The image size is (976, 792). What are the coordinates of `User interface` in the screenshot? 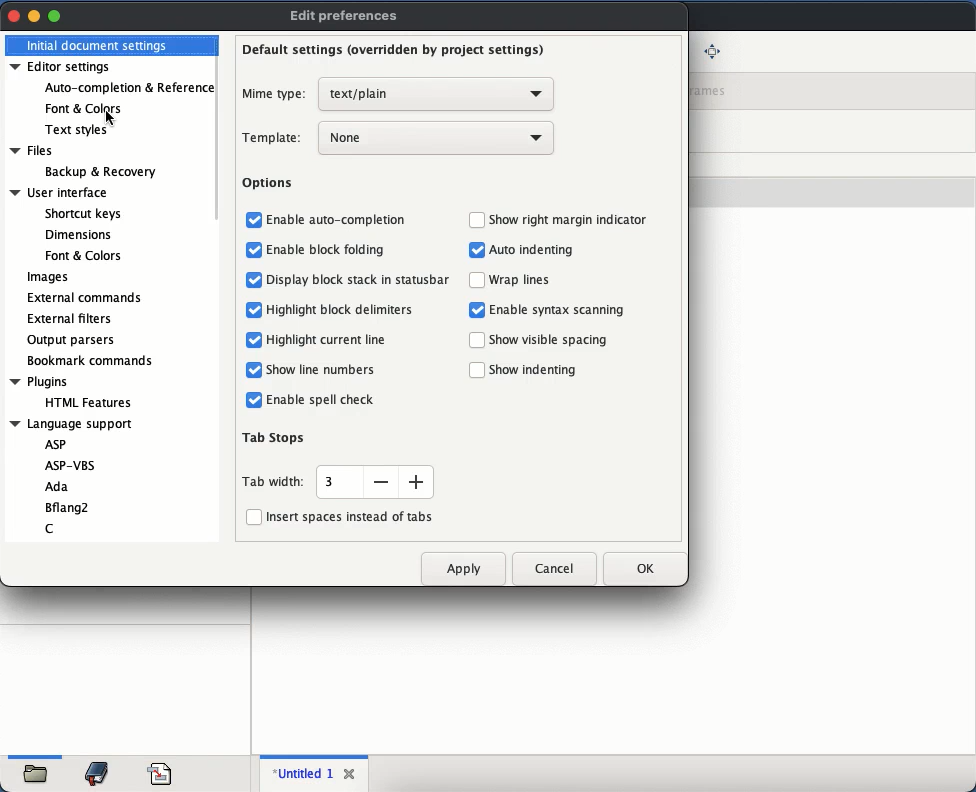 It's located at (58, 191).